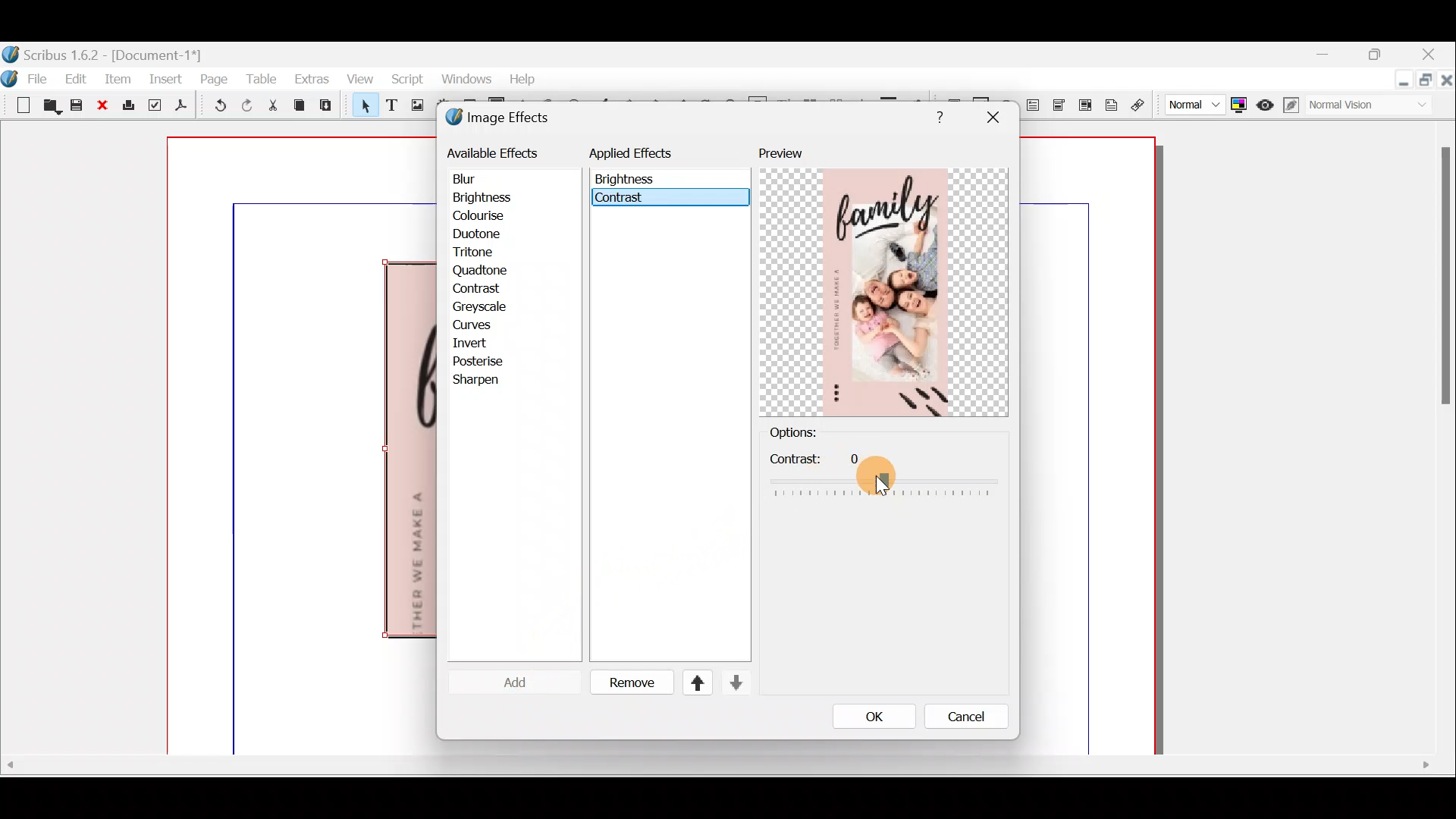 This screenshot has height=819, width=1456. What do you see at coordinates (475, 289) in the screenshot?
I see `Cursor` at bounding box center [475, 289].